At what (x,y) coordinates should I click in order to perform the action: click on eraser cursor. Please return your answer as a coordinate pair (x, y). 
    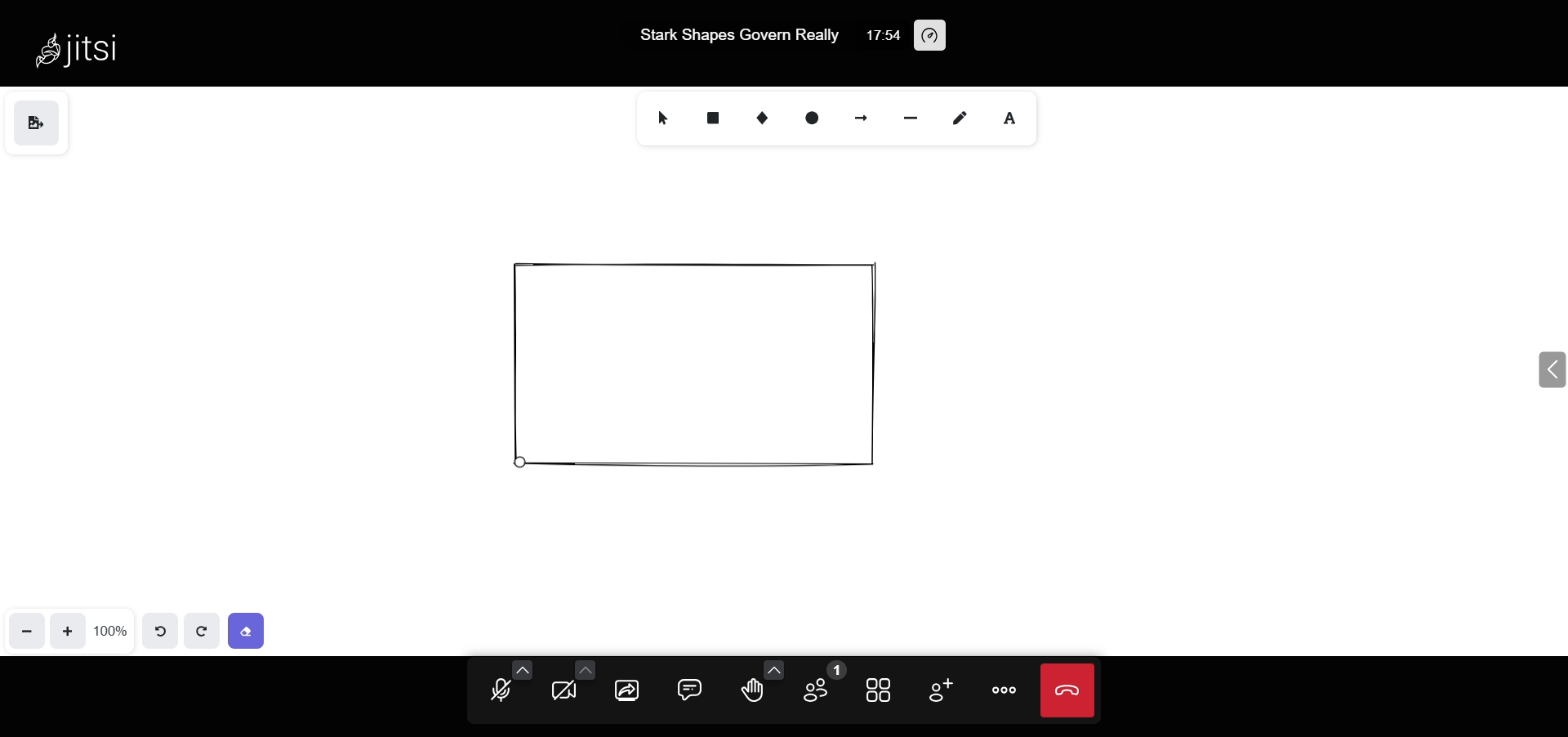
    Looking at the image, I should click on (531, 466).